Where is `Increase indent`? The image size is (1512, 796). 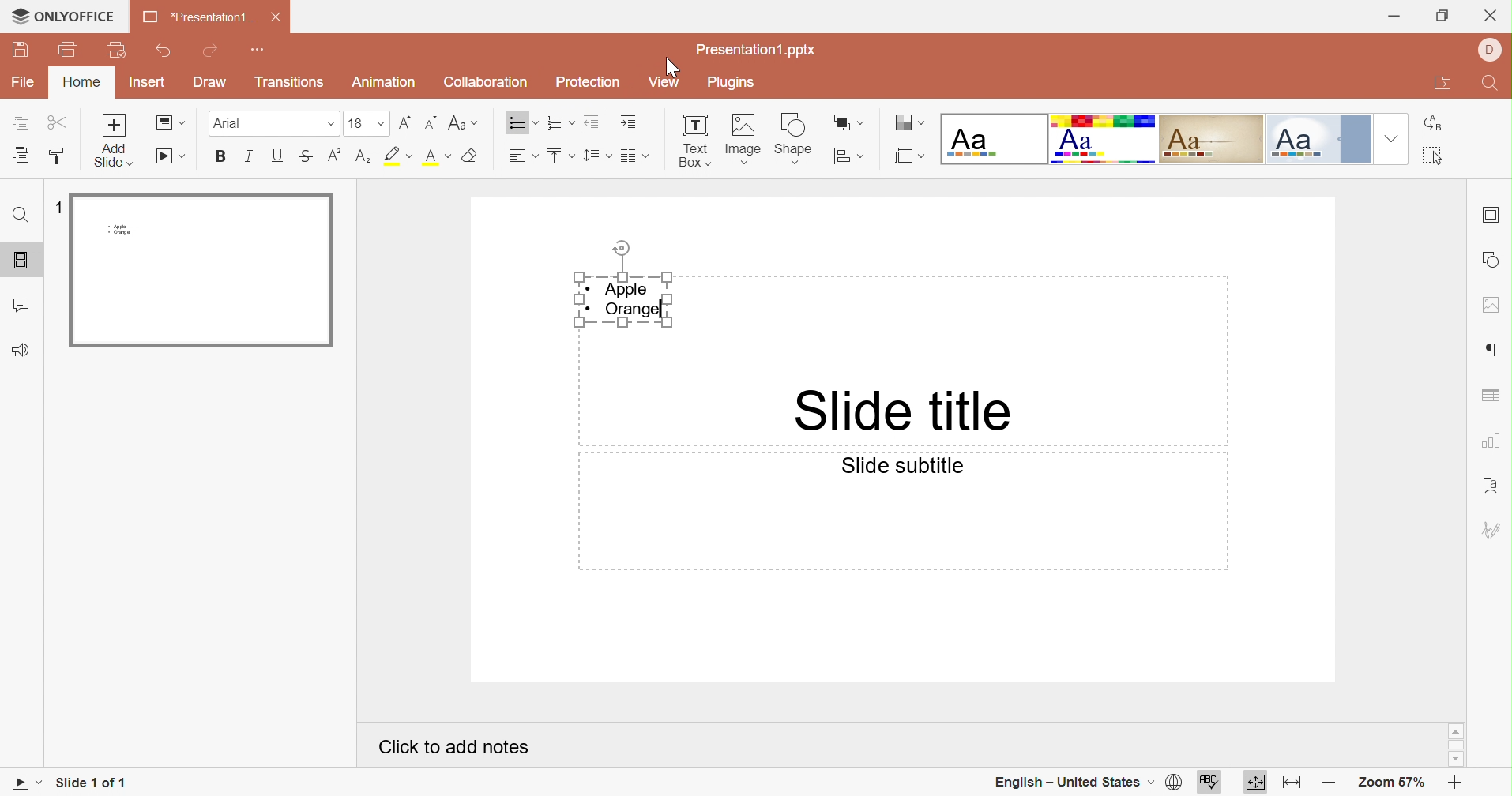
Increase indent is located at coordinates (629, 123).